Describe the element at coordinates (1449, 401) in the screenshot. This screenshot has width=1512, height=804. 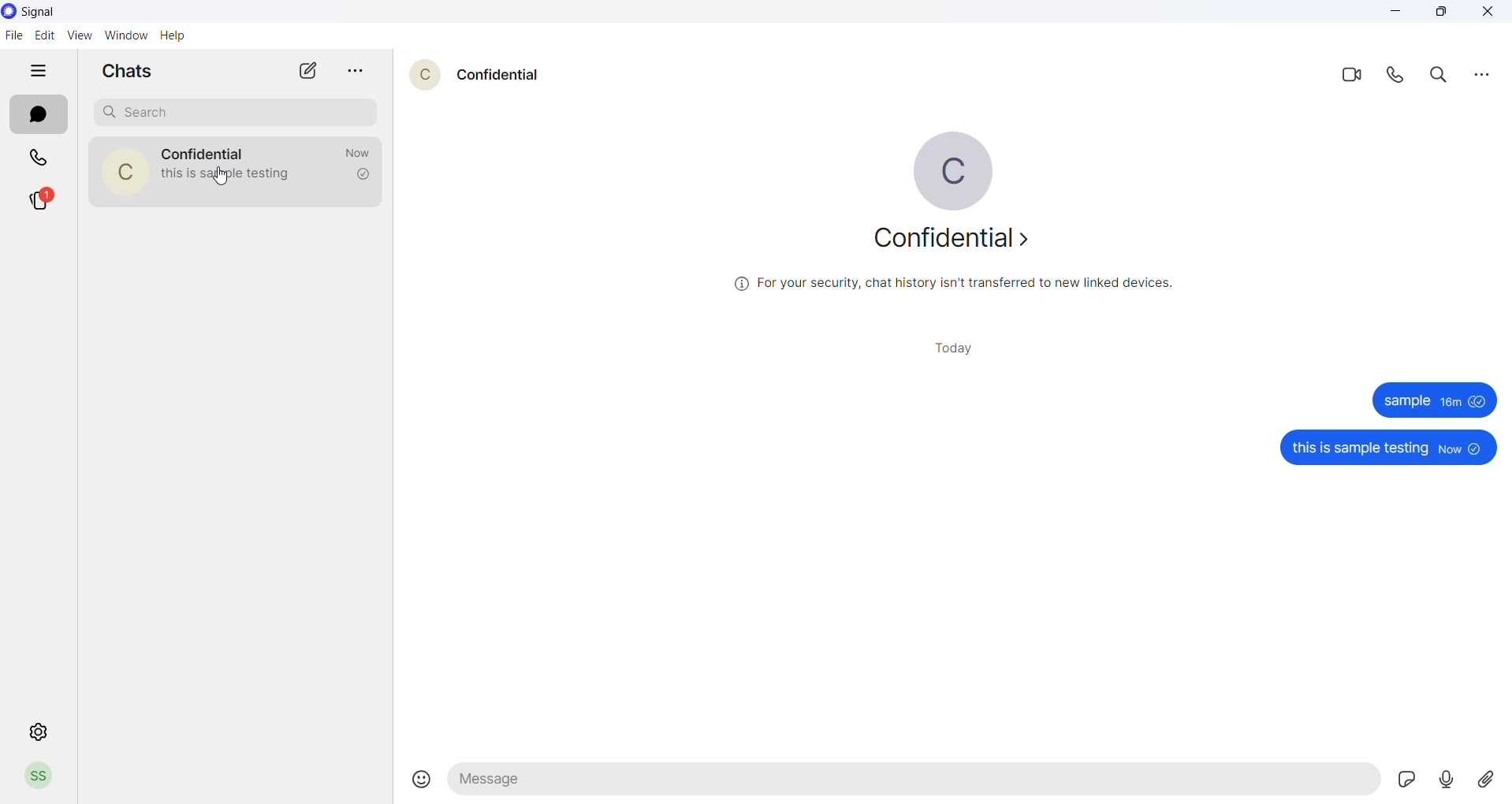
I see `18m` at that location.